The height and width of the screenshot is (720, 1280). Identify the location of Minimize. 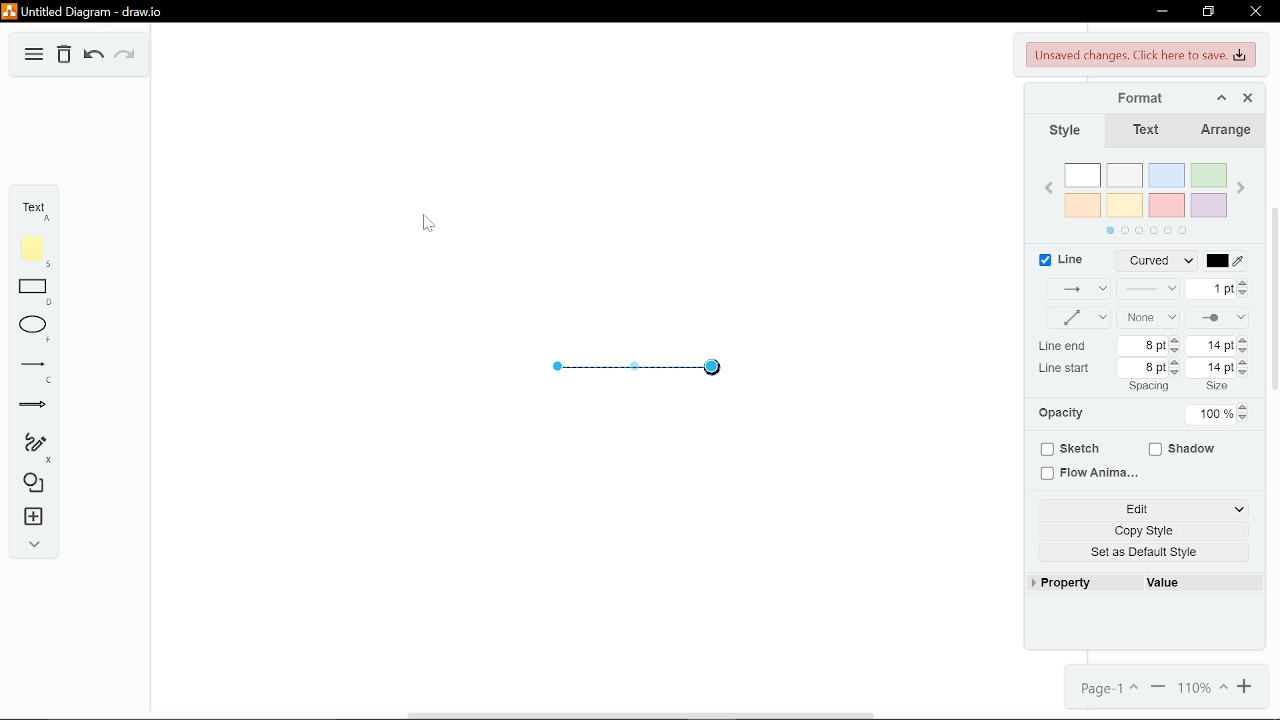
(1160, 11).